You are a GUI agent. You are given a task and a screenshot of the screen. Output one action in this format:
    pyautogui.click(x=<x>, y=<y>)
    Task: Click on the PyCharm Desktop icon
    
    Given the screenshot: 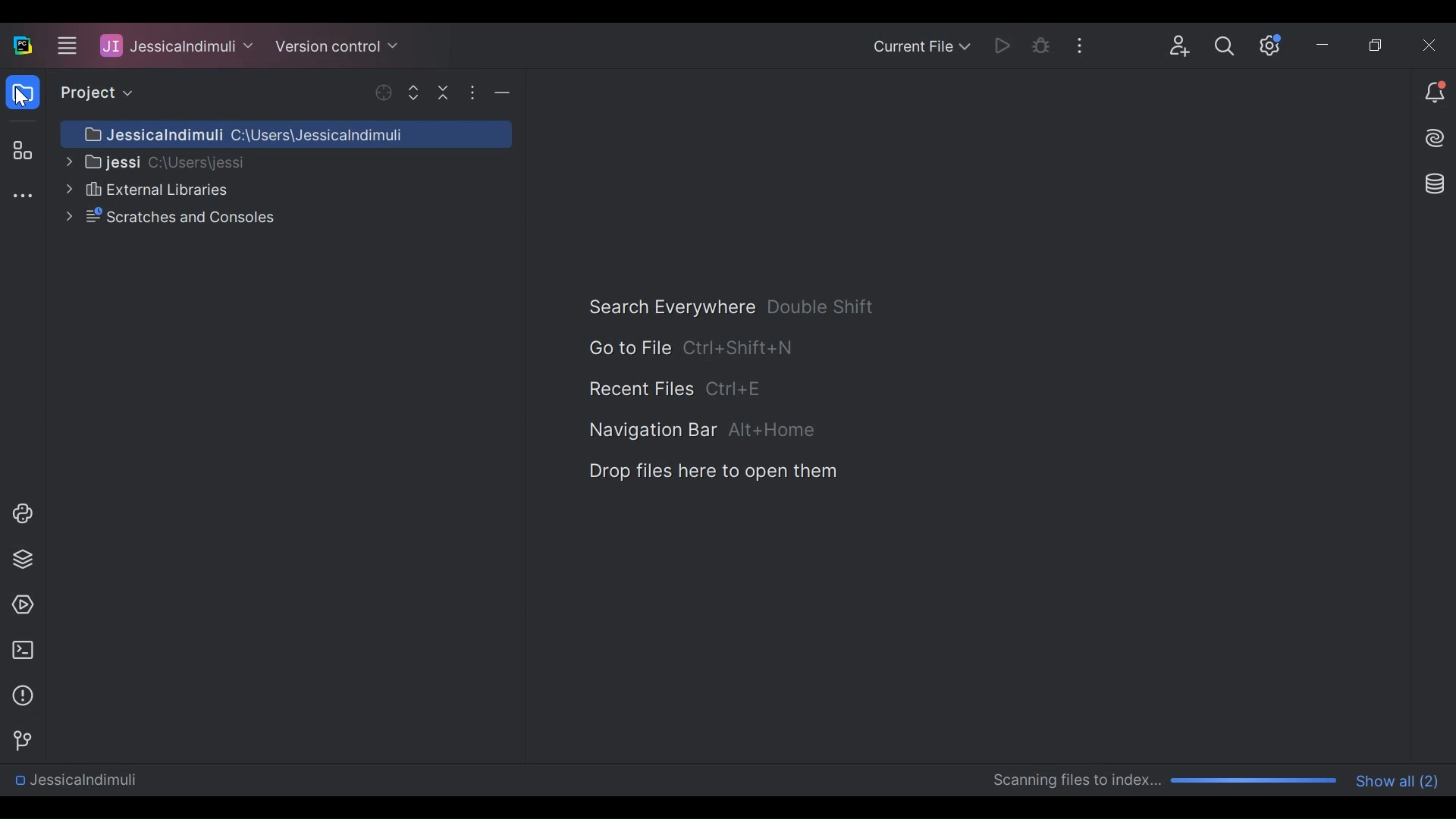 What is the action you would take?
    pyautogui.click(x=21, y=45)
    